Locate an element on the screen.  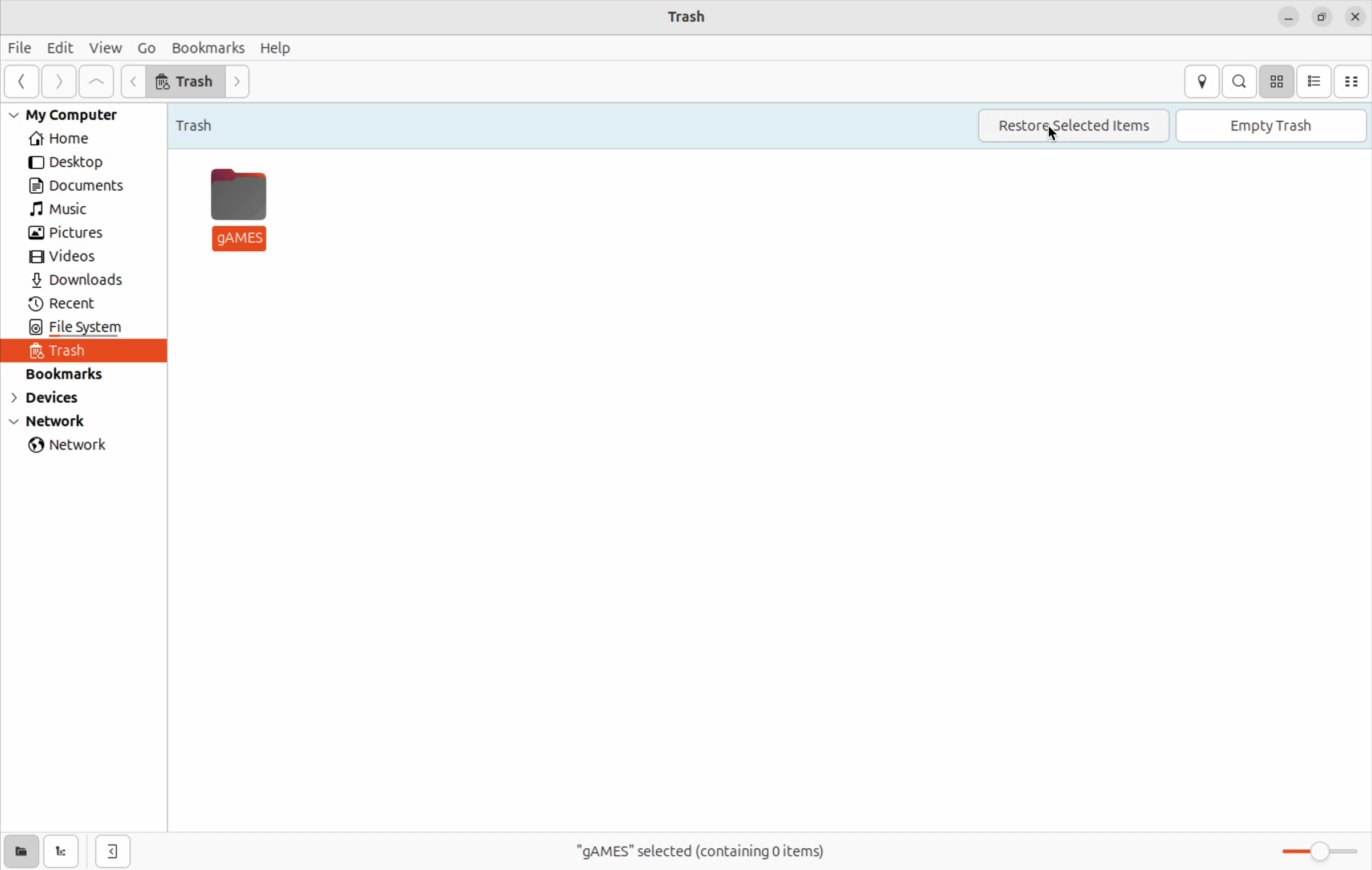
Games is located at coordinates (241, 207).